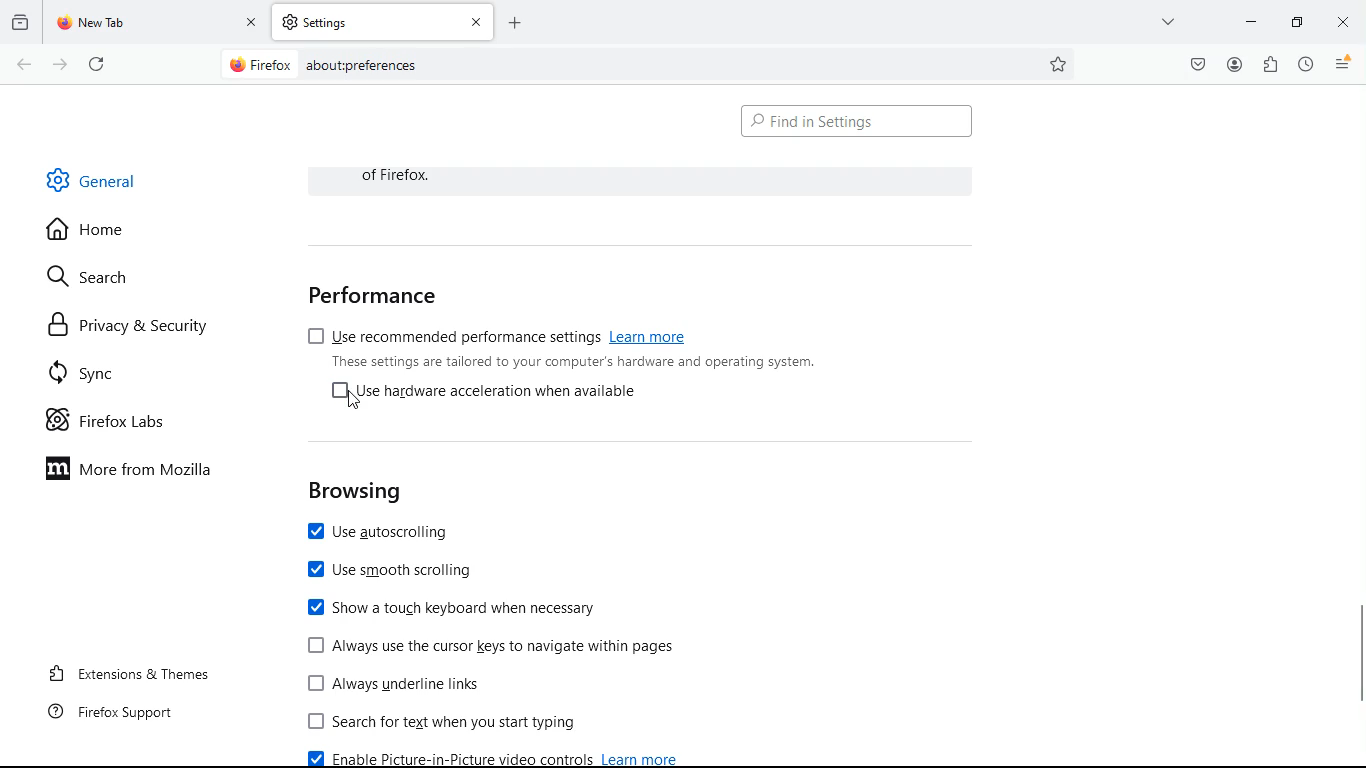  Describe the element at coordinates (114, 423) in the screenshot. I see `firefox labs` at that location.